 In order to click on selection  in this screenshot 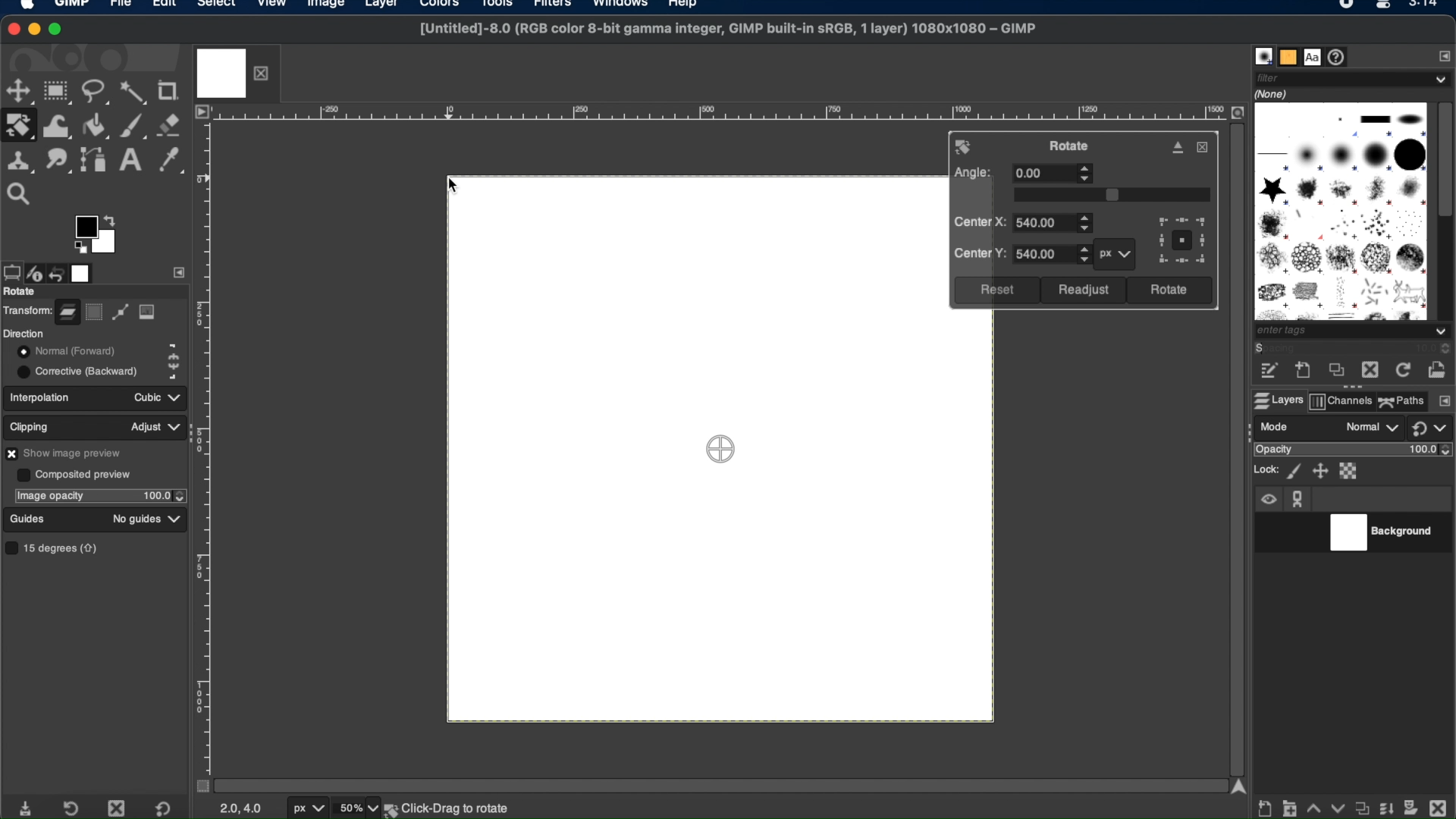, I will do `click(95, 312)`.